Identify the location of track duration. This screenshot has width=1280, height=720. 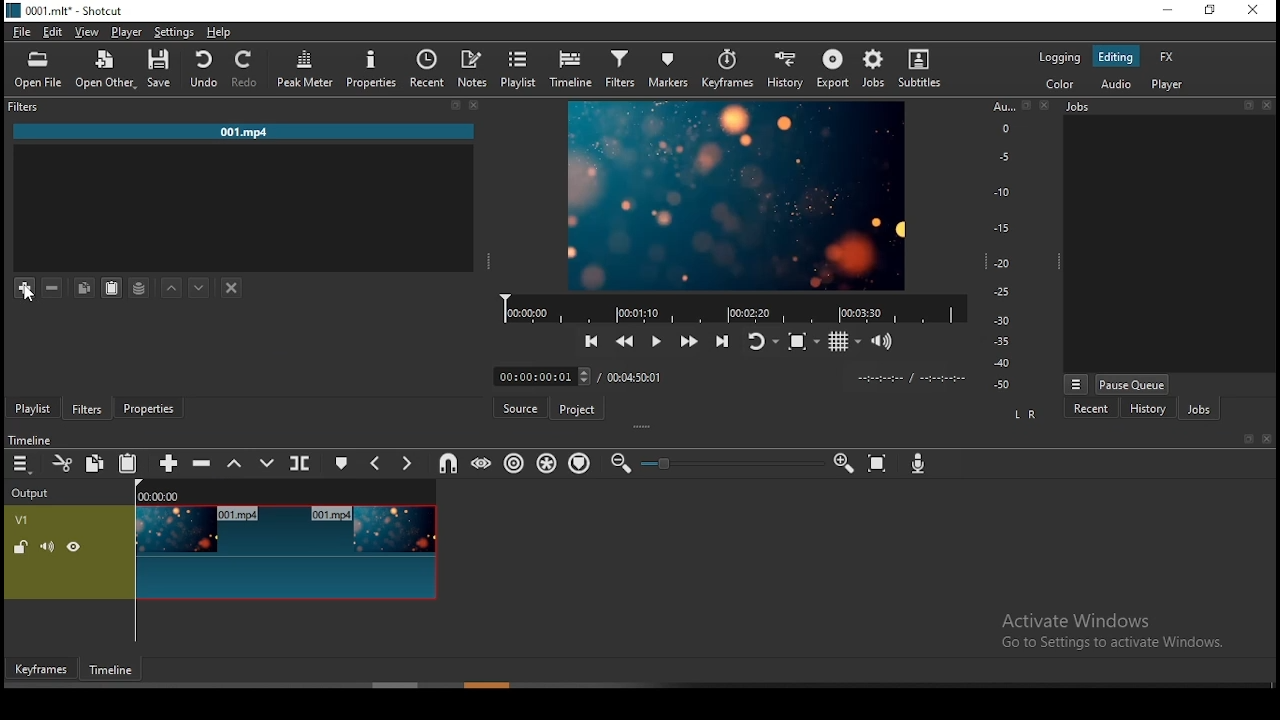
(635, 377).